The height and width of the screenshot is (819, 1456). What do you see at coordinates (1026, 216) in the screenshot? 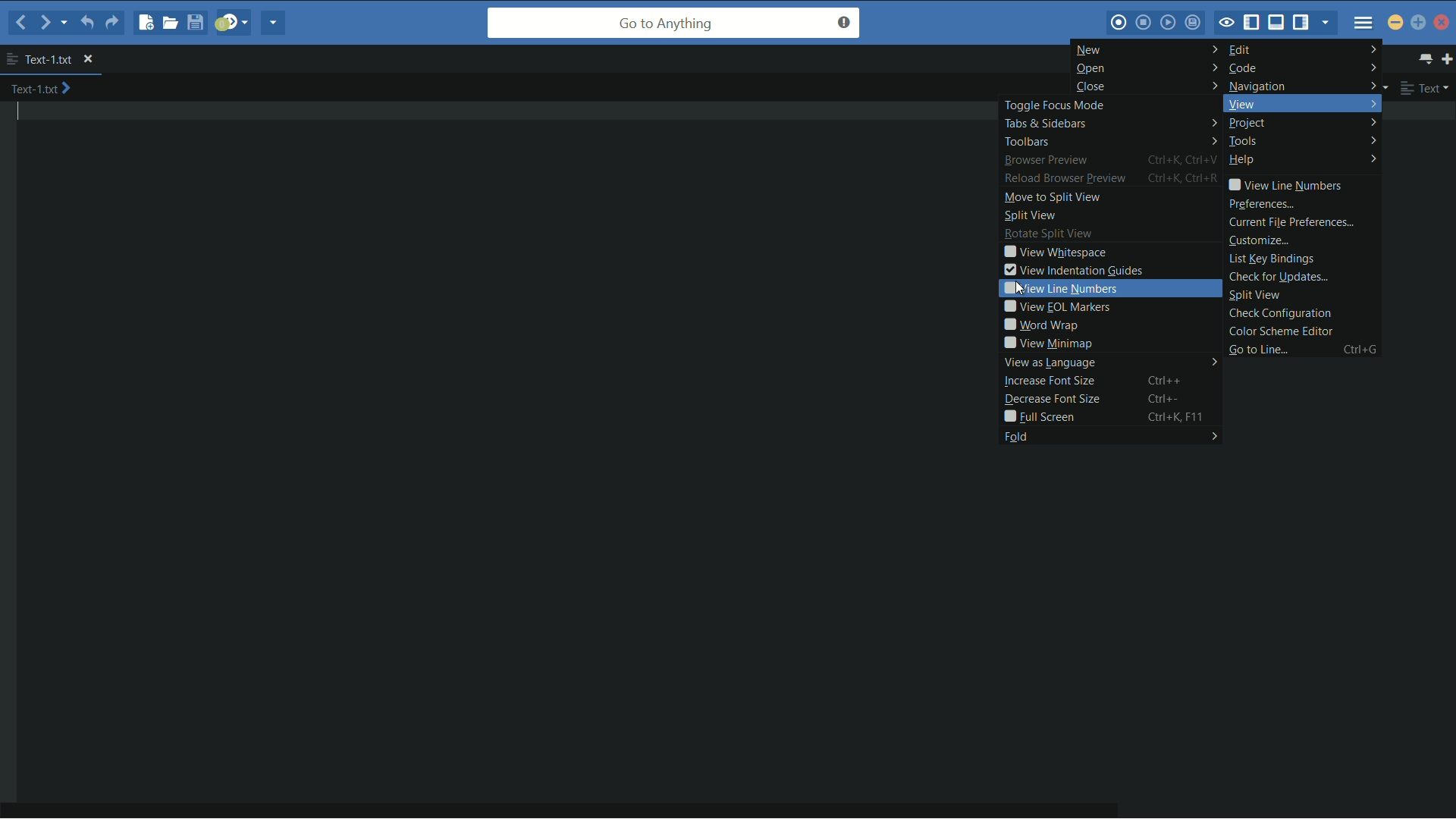
I see `split view` at bounding box center [1026, 216].